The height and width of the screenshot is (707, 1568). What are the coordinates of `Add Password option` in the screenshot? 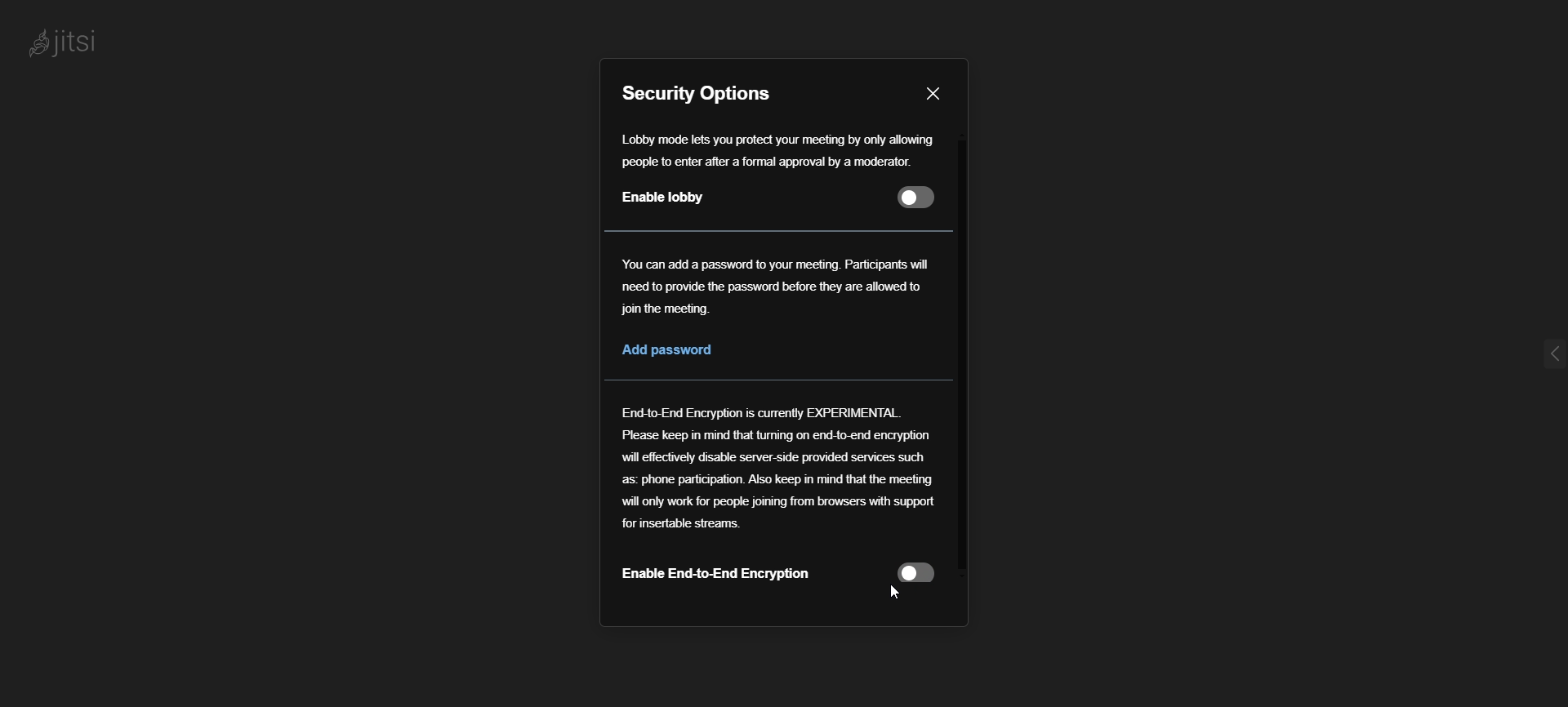 It's located at (682, 349).